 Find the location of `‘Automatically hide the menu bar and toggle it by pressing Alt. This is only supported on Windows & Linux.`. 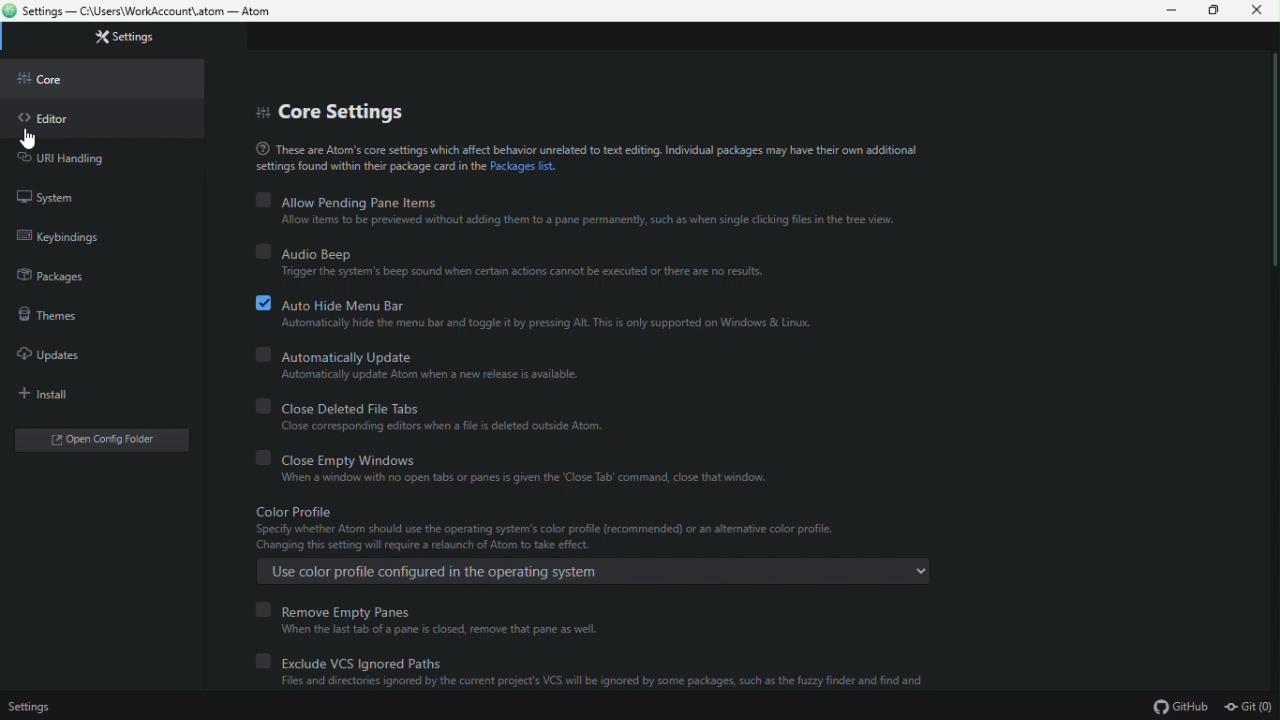

‘Automatically hide the menu bar and toggle it by pressing Alt. This is only supported on Windows & Linux. is located at coordinates (544, 326).